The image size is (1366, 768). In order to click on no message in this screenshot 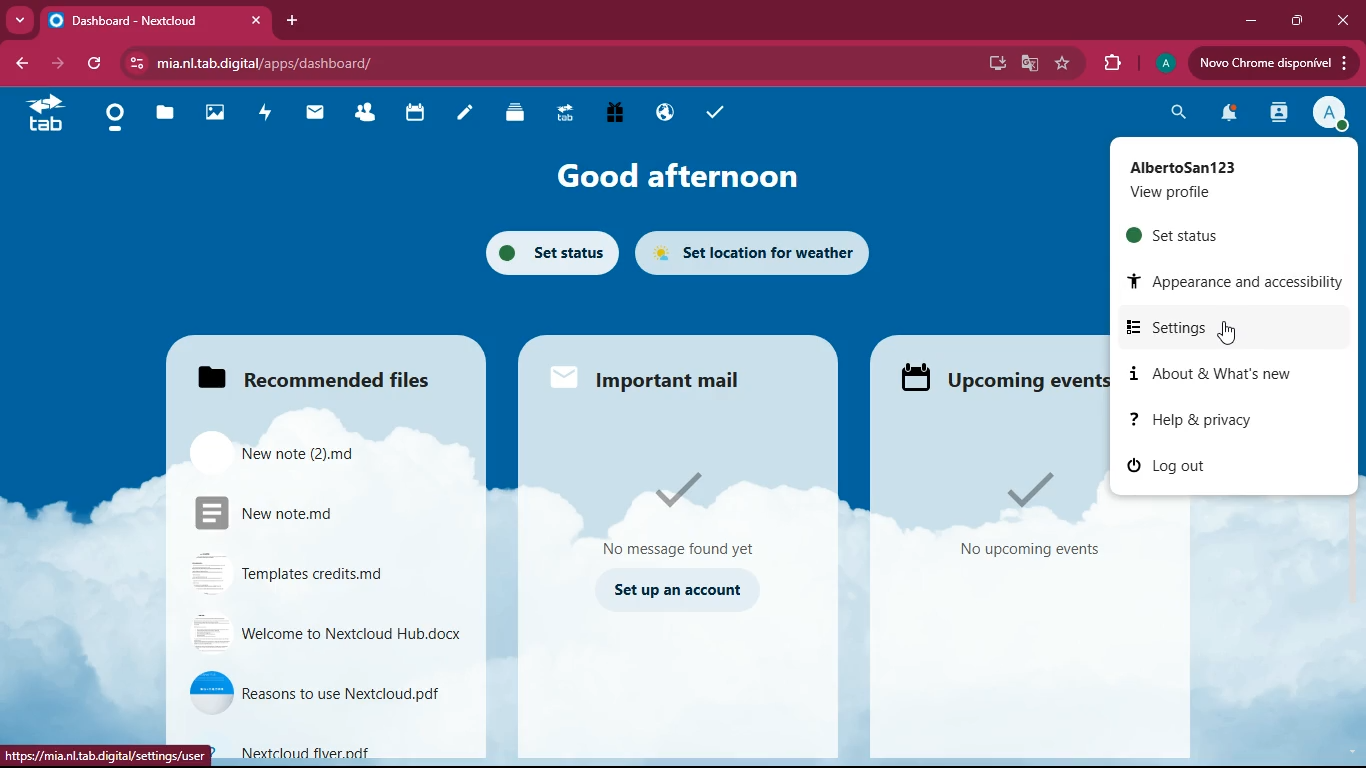, I will do `click(677, 512)`.